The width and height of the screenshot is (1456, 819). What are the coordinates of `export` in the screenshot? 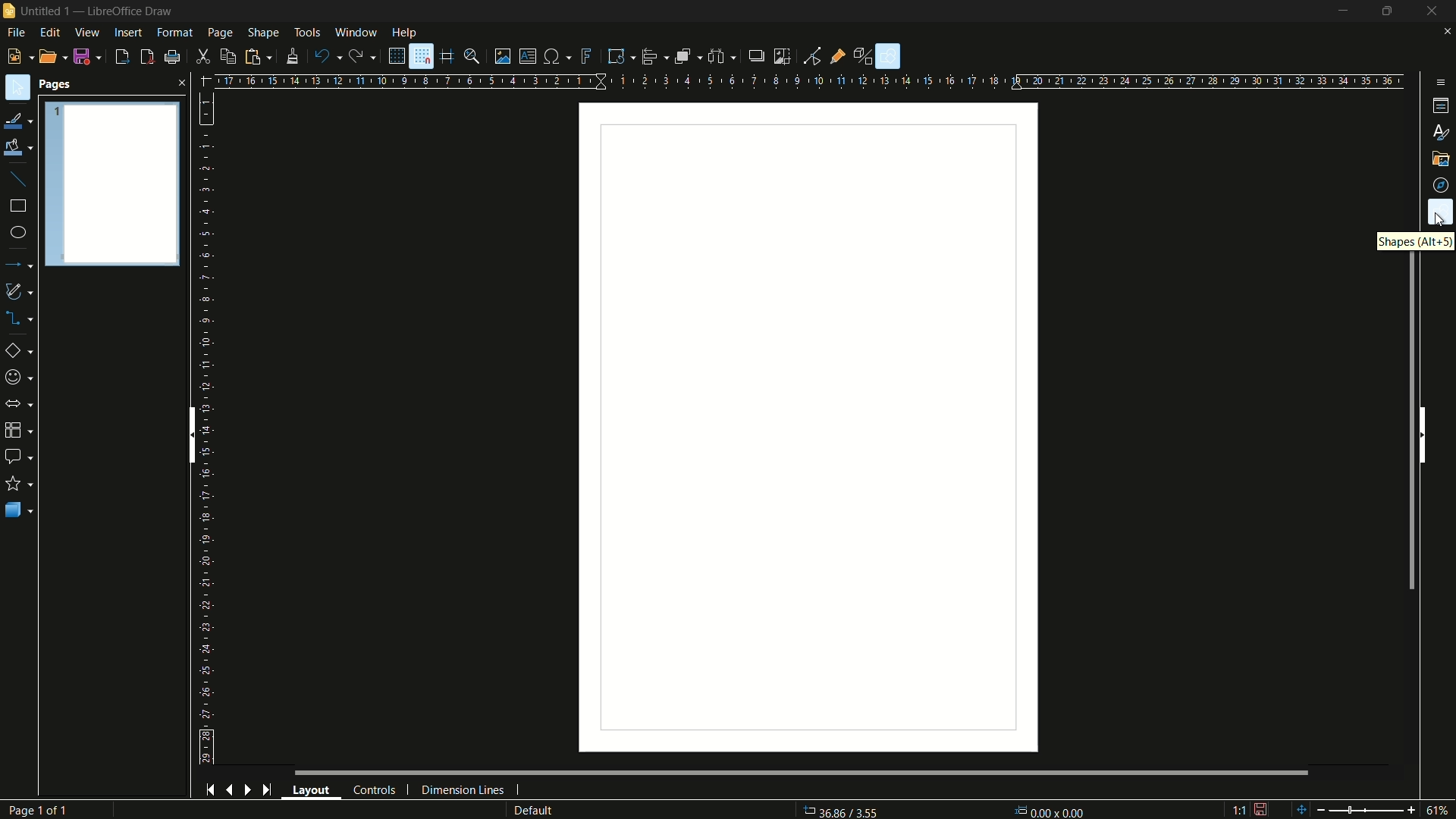 It's located at (123, 58).